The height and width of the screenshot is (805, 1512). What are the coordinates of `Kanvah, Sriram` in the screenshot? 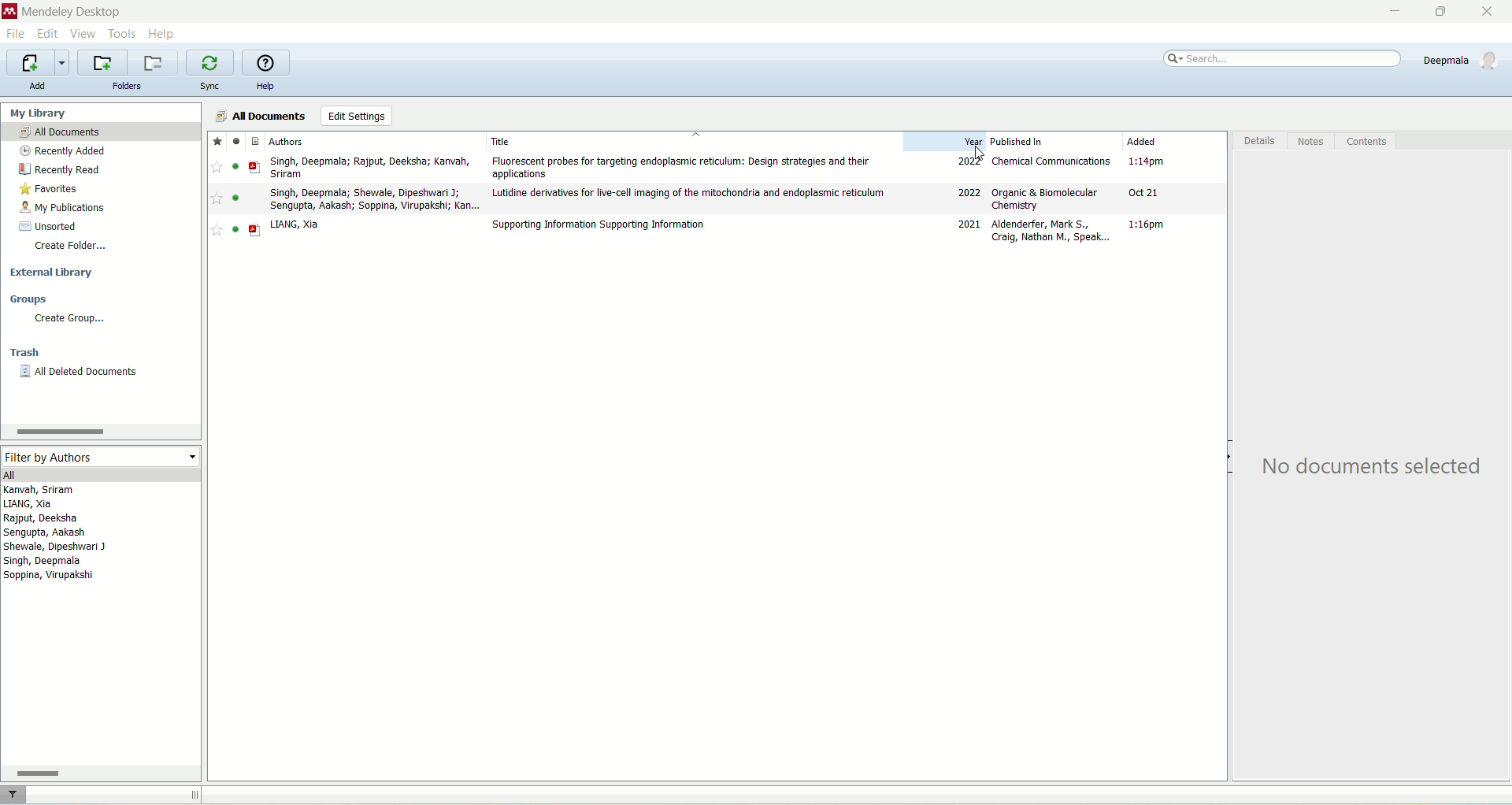 It's located at (46, 490).